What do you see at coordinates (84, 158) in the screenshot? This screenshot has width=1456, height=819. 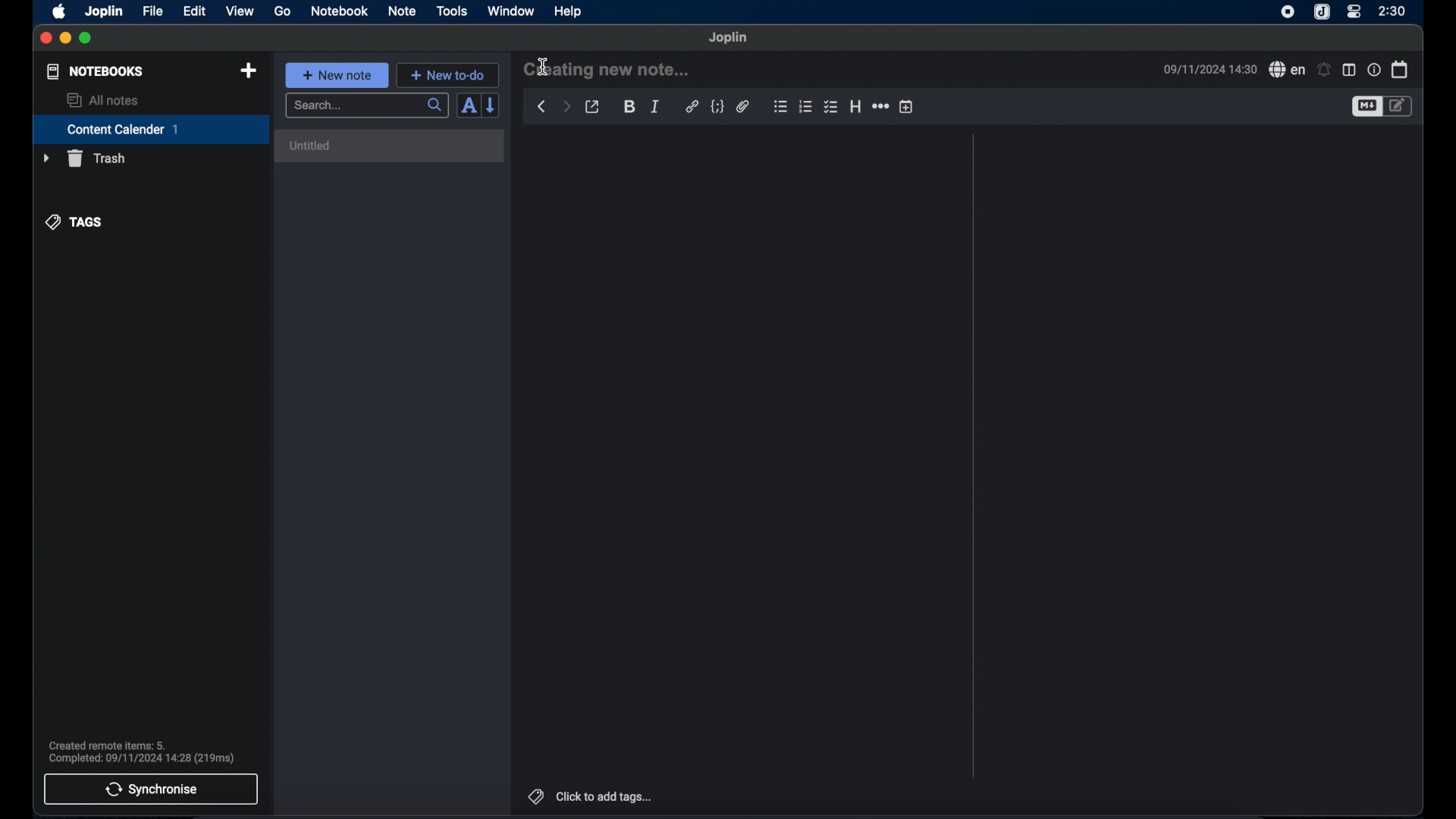 I see `trash` at bounding box center [84, 158].